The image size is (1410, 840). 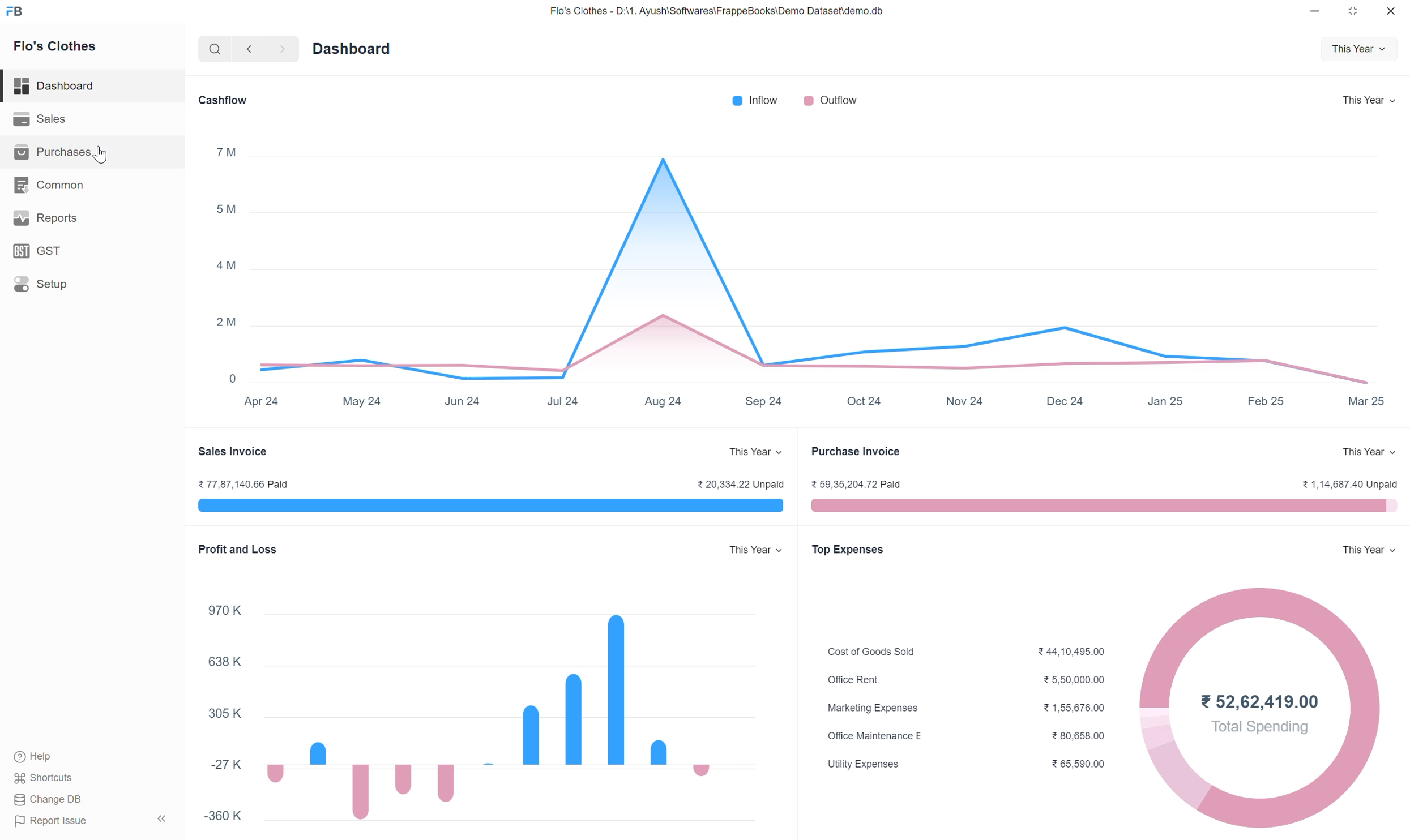 What do you see at coordinates (1266, 402) in the screenshot?
I see `feb 25` at bounding box center [1266, 402].